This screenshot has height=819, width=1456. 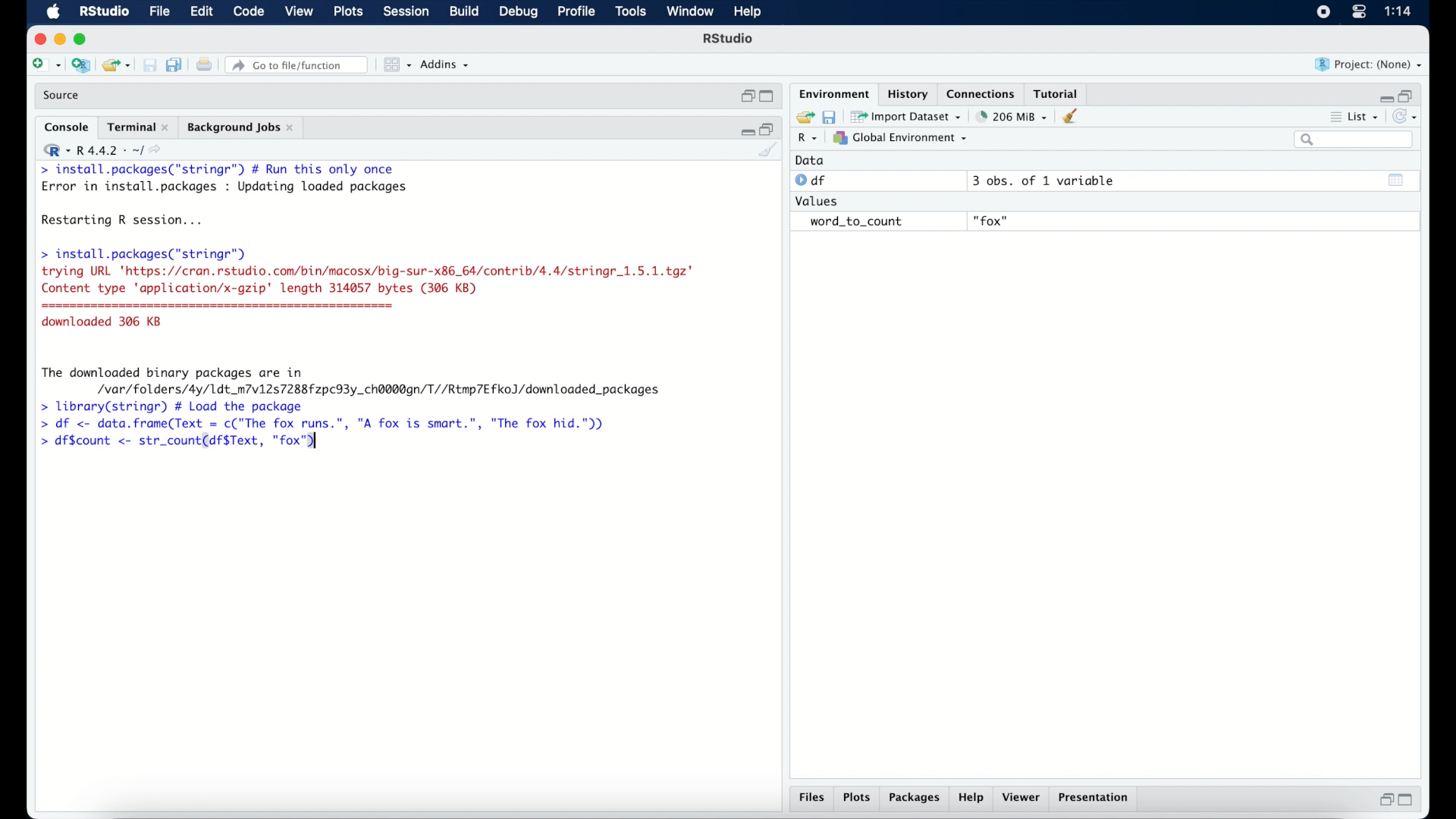 What do you see at coordinates (38, 39) in the screenshot?
I see `close` at bounding box center [38, 39].